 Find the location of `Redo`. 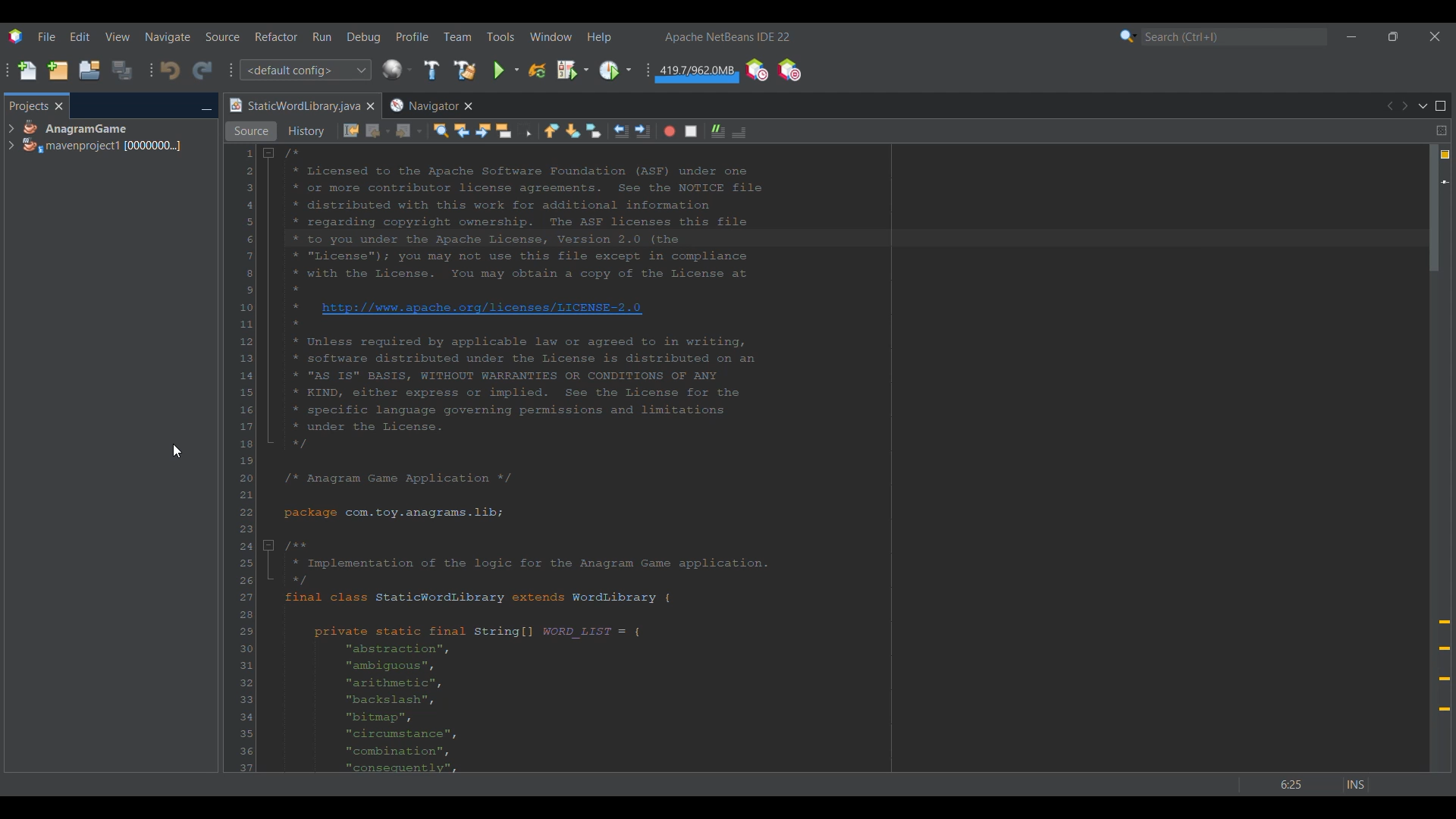

Redo is located at coordinates (202, 70).